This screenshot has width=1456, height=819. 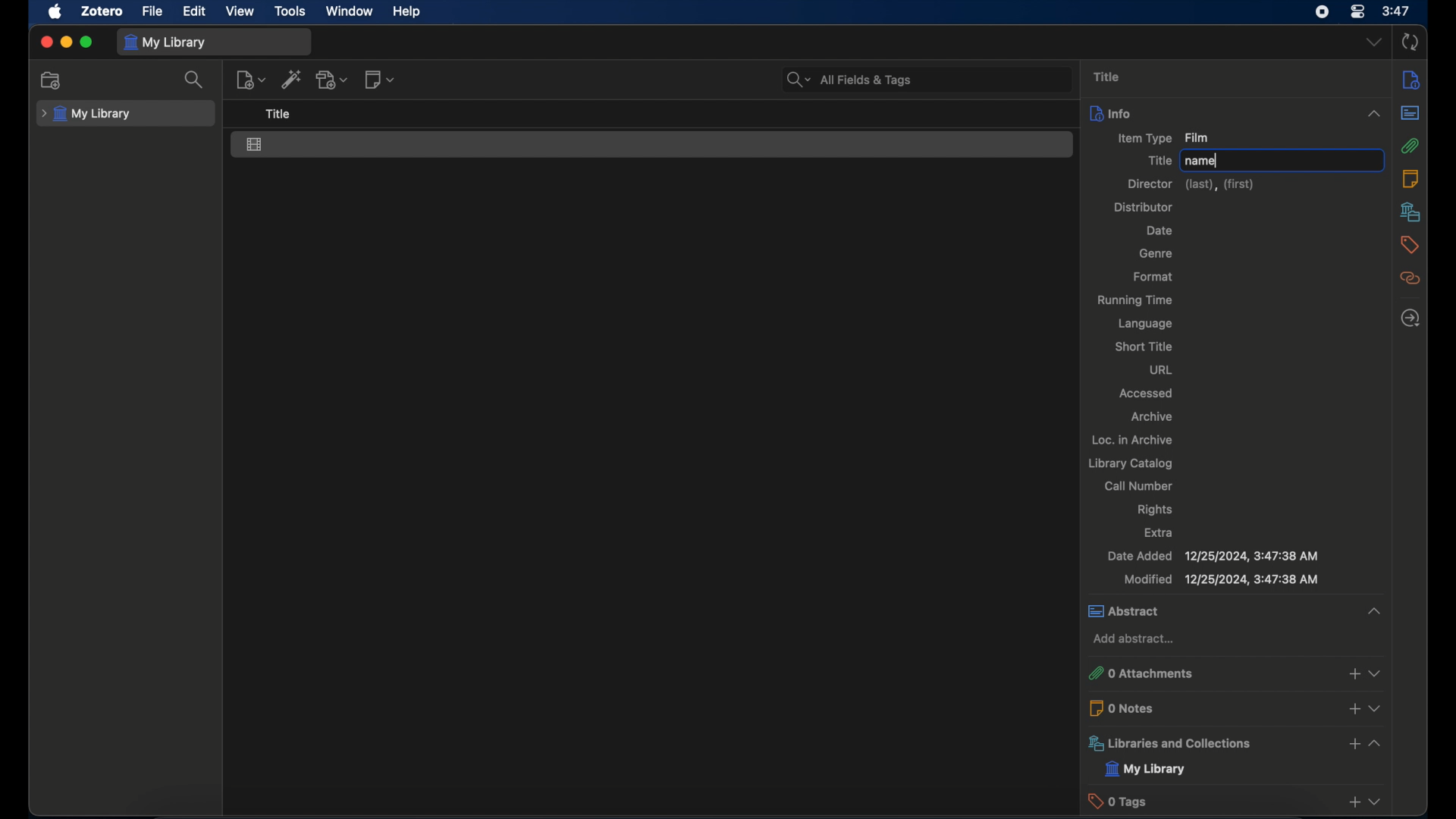 I want to click on typing cursor, so click(x=1227, y=162).